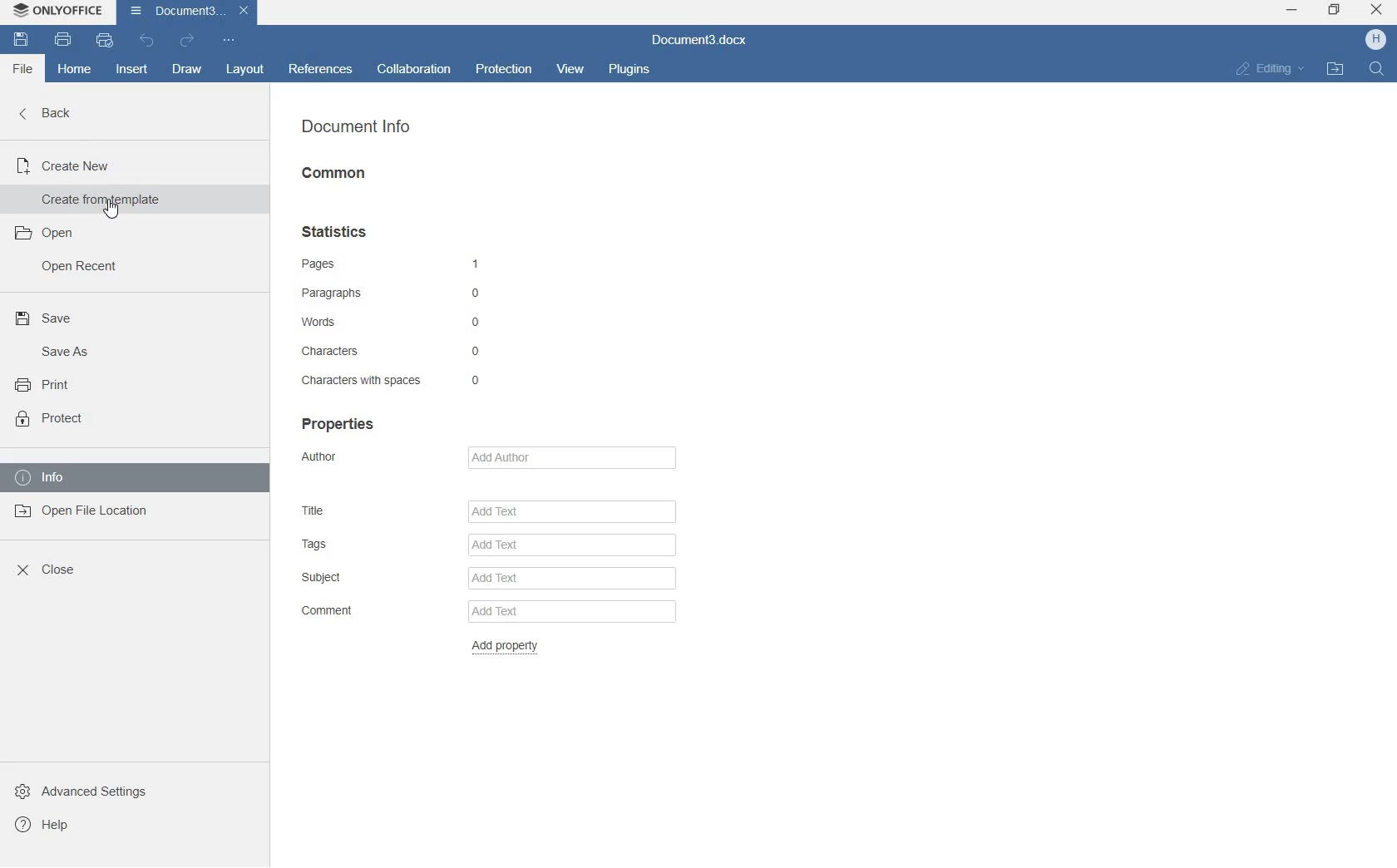 The height and width of the screenshot is (868, 1397). I want to click on save, so click(21, 42).